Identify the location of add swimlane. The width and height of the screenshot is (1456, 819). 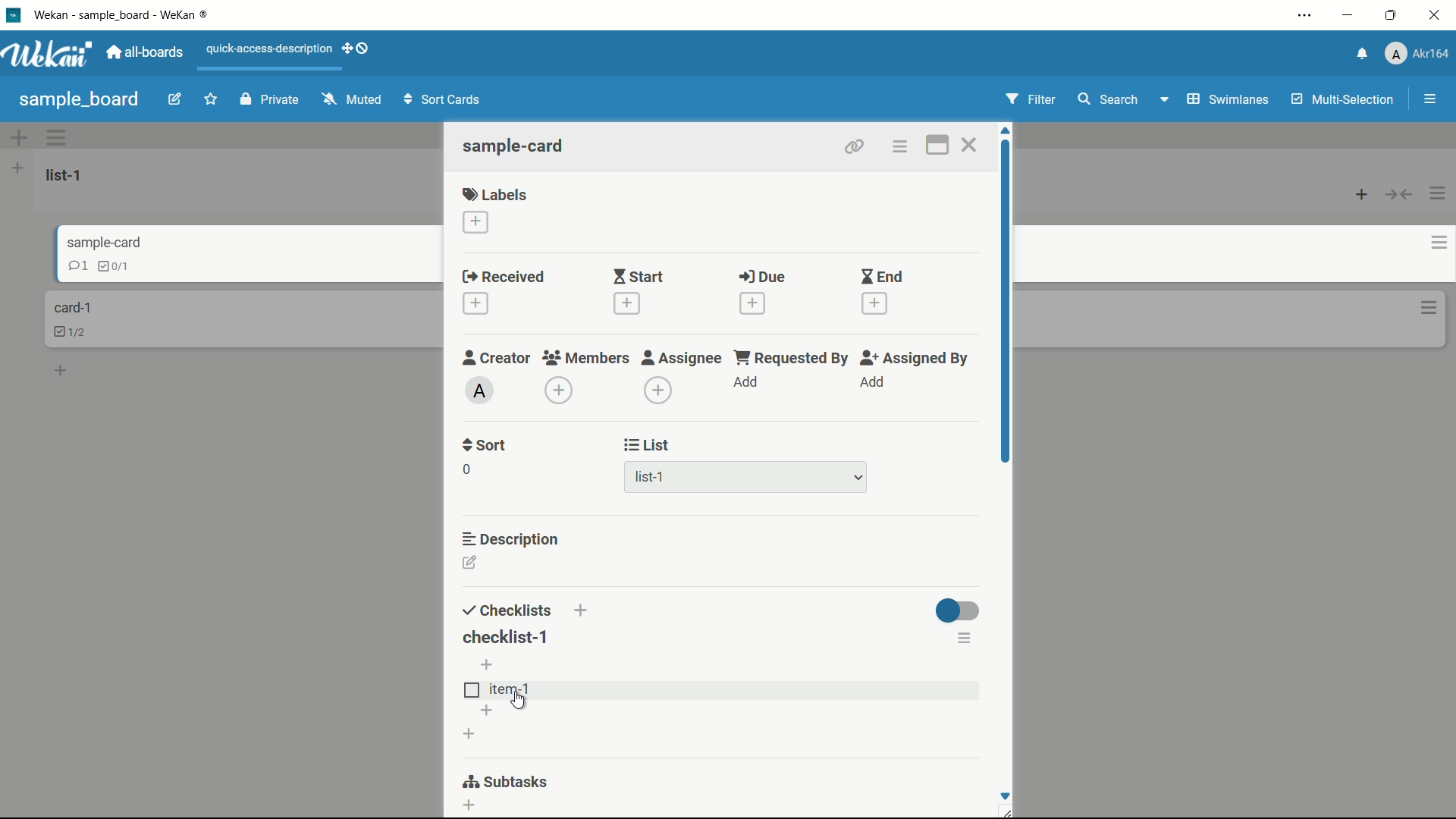
(19, 136).